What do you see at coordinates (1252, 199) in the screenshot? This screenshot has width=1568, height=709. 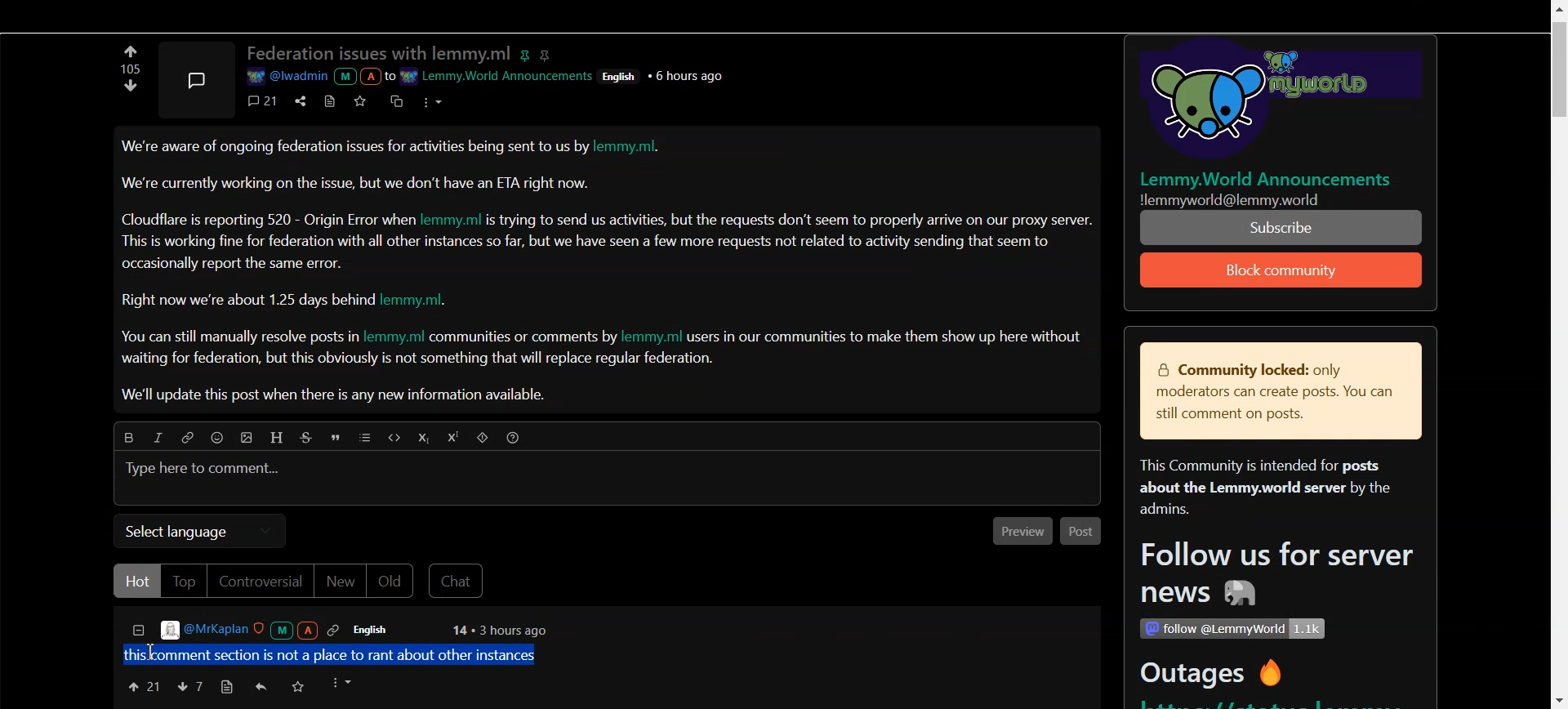 I see `` at bounding box center [1252, 199].